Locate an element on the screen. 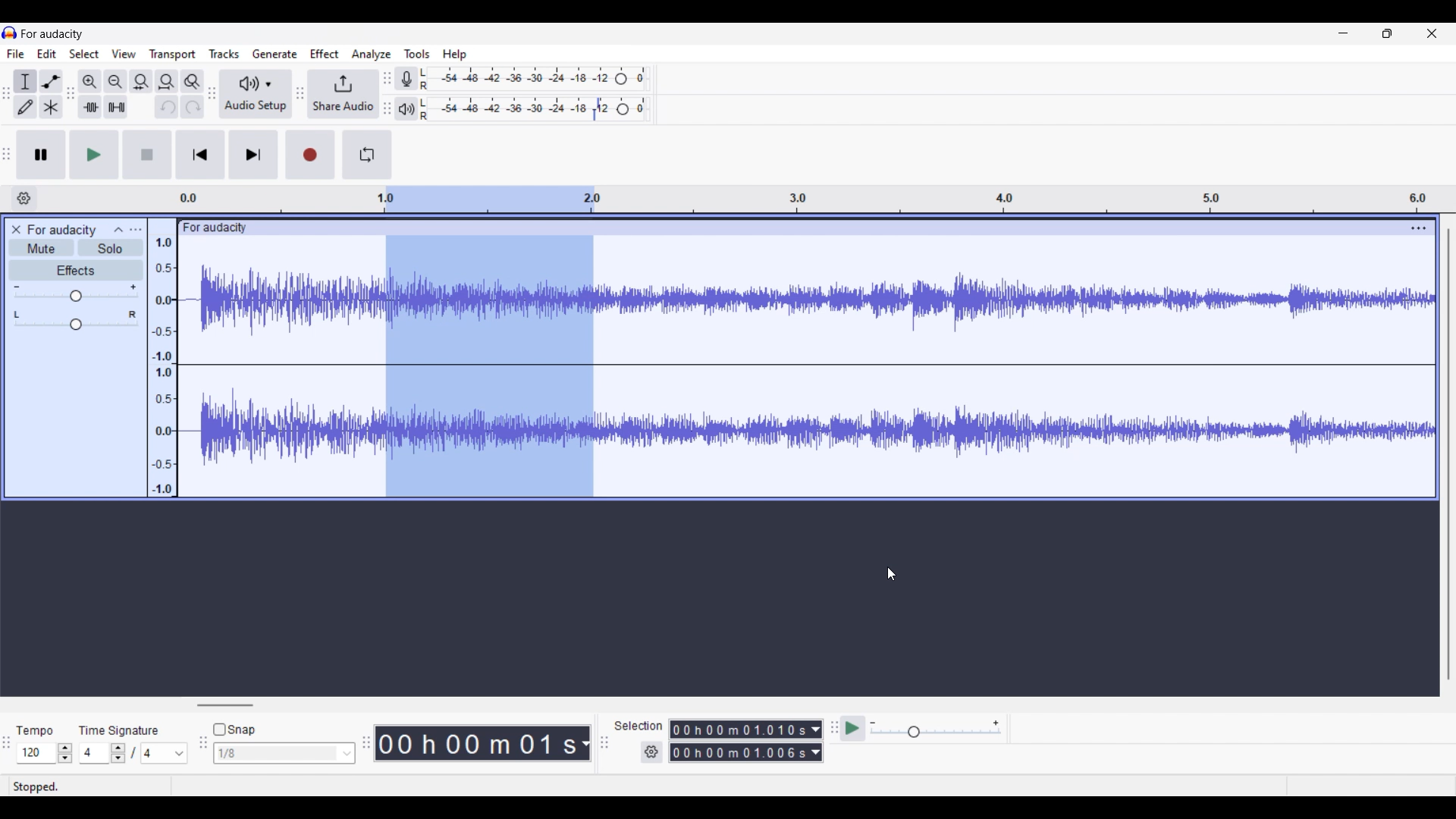 The height and width of the screenshot is (819, 1456). Close interface is located at coordinates (1432, 33).